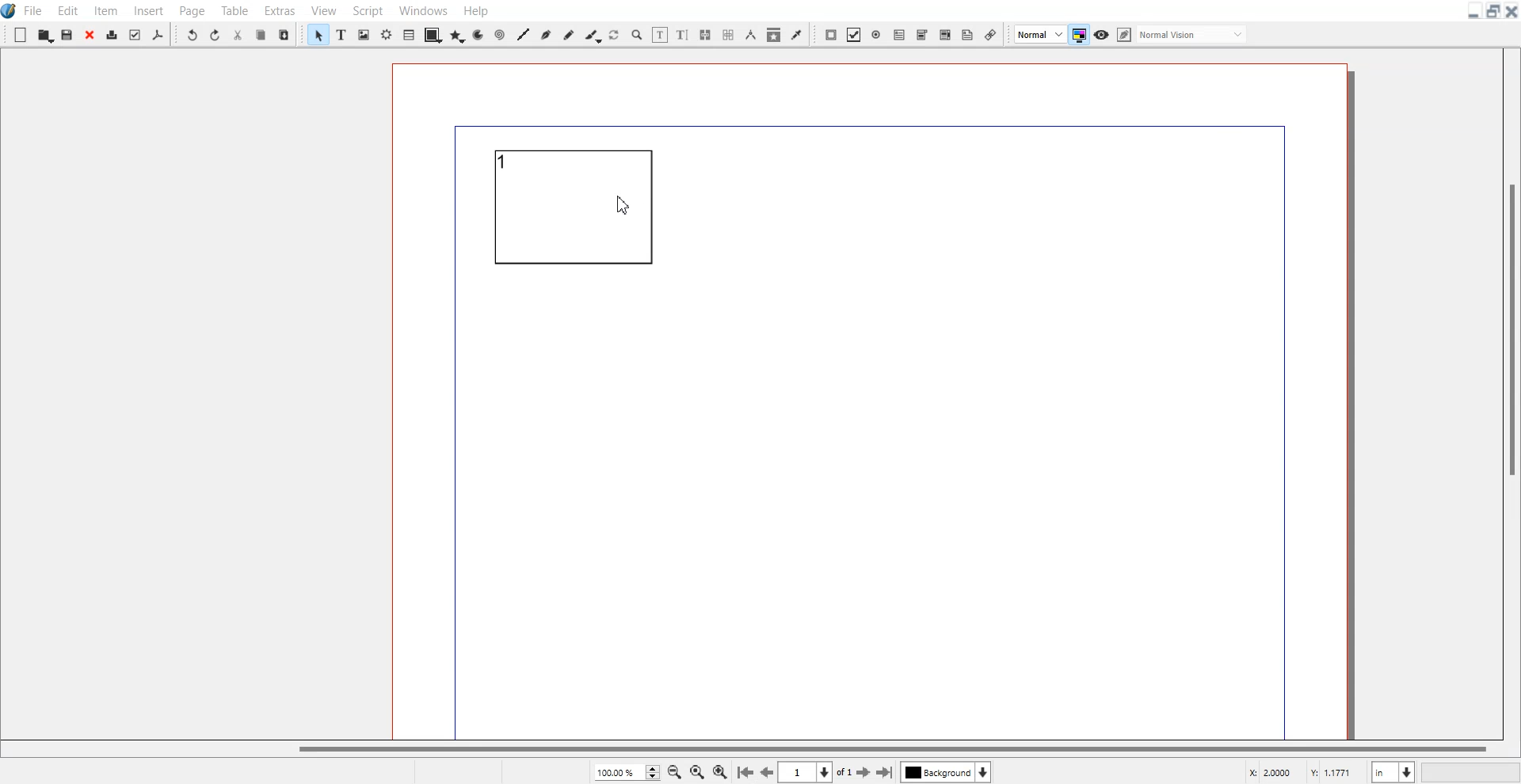 Image resolution: width=1521 pixels, height=784 pixels. What do you see at coordinates (876, 35) in the screenshot?
I see `PDF Radio Button` at bounding box center [876, 35].